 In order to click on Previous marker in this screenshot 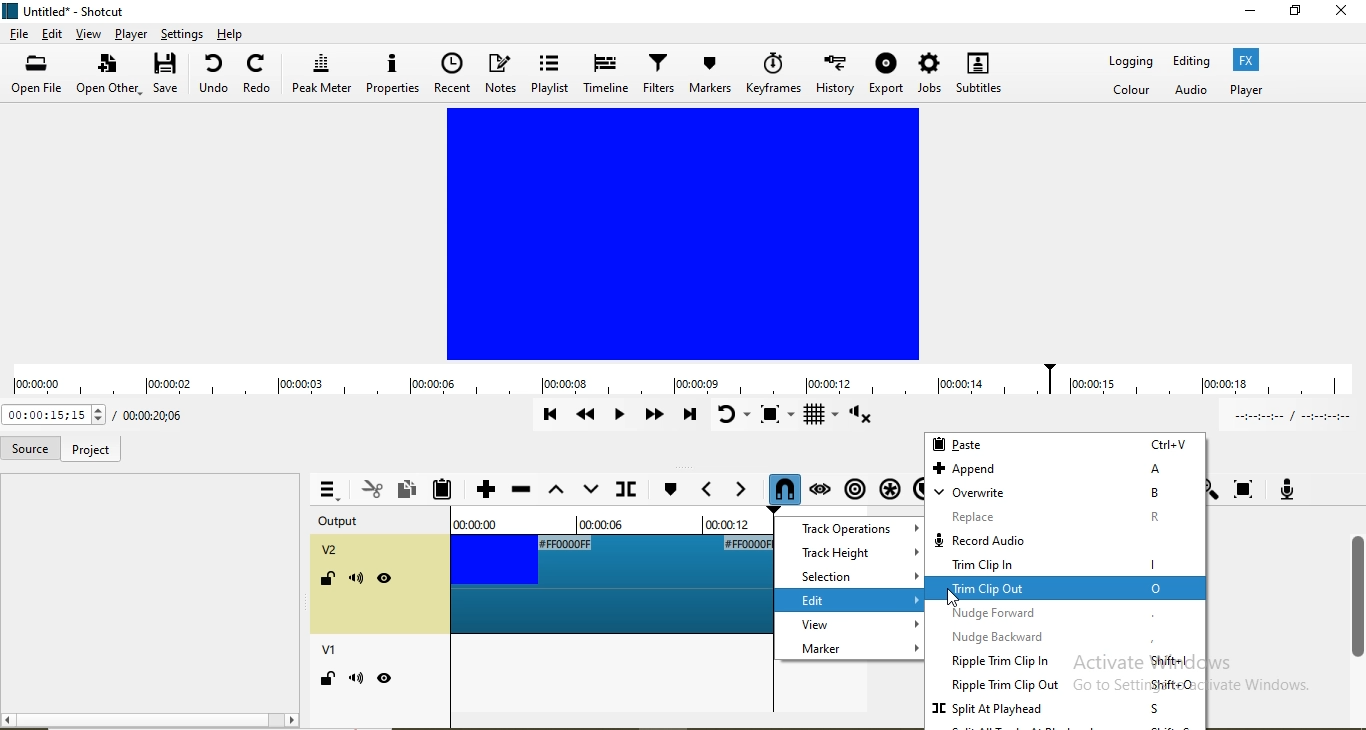, I will do `click(706, 490)`.